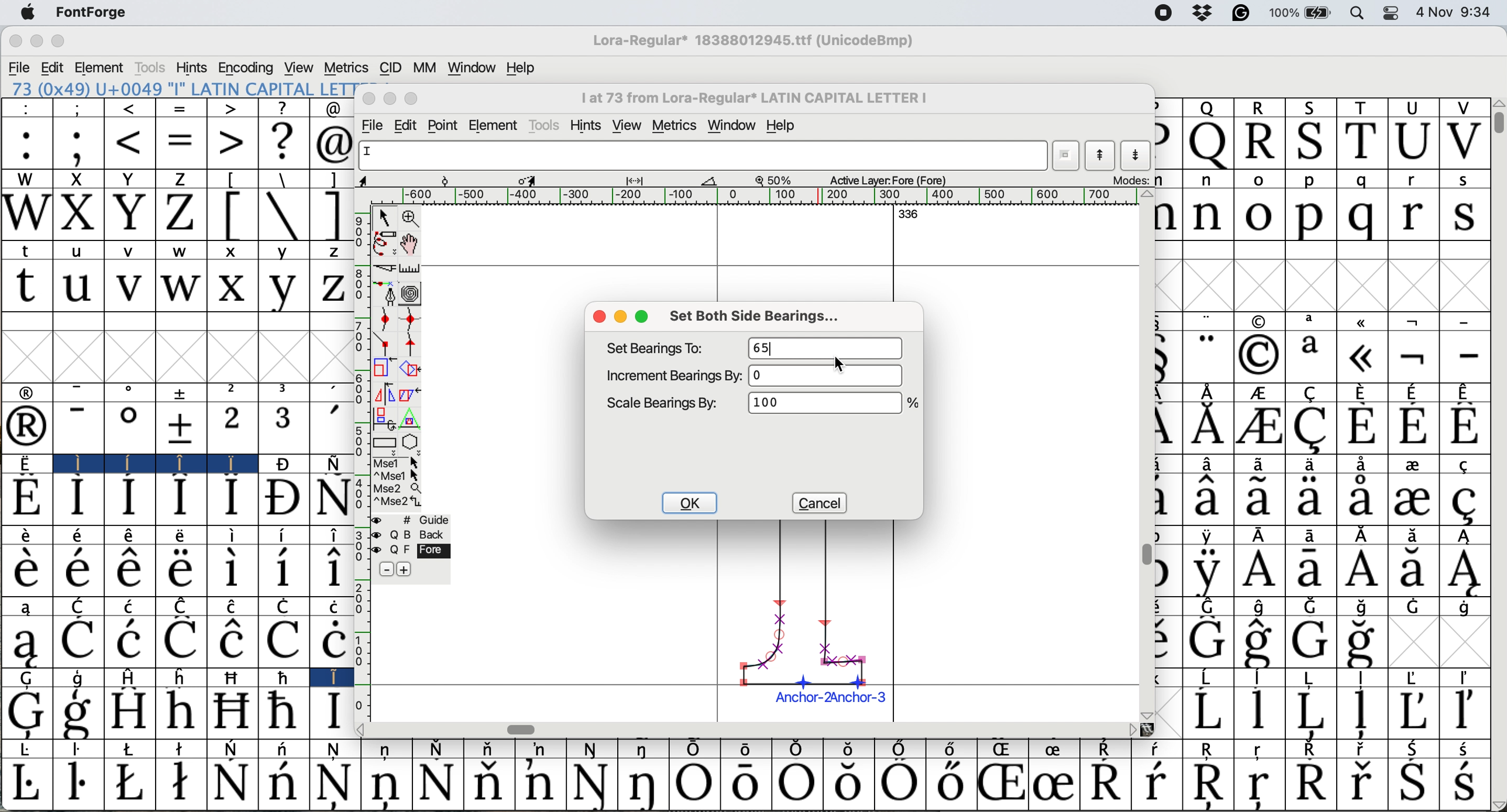 This screenshot has width=1507, height=812. I want to click on Symbol, so click(228, 465).